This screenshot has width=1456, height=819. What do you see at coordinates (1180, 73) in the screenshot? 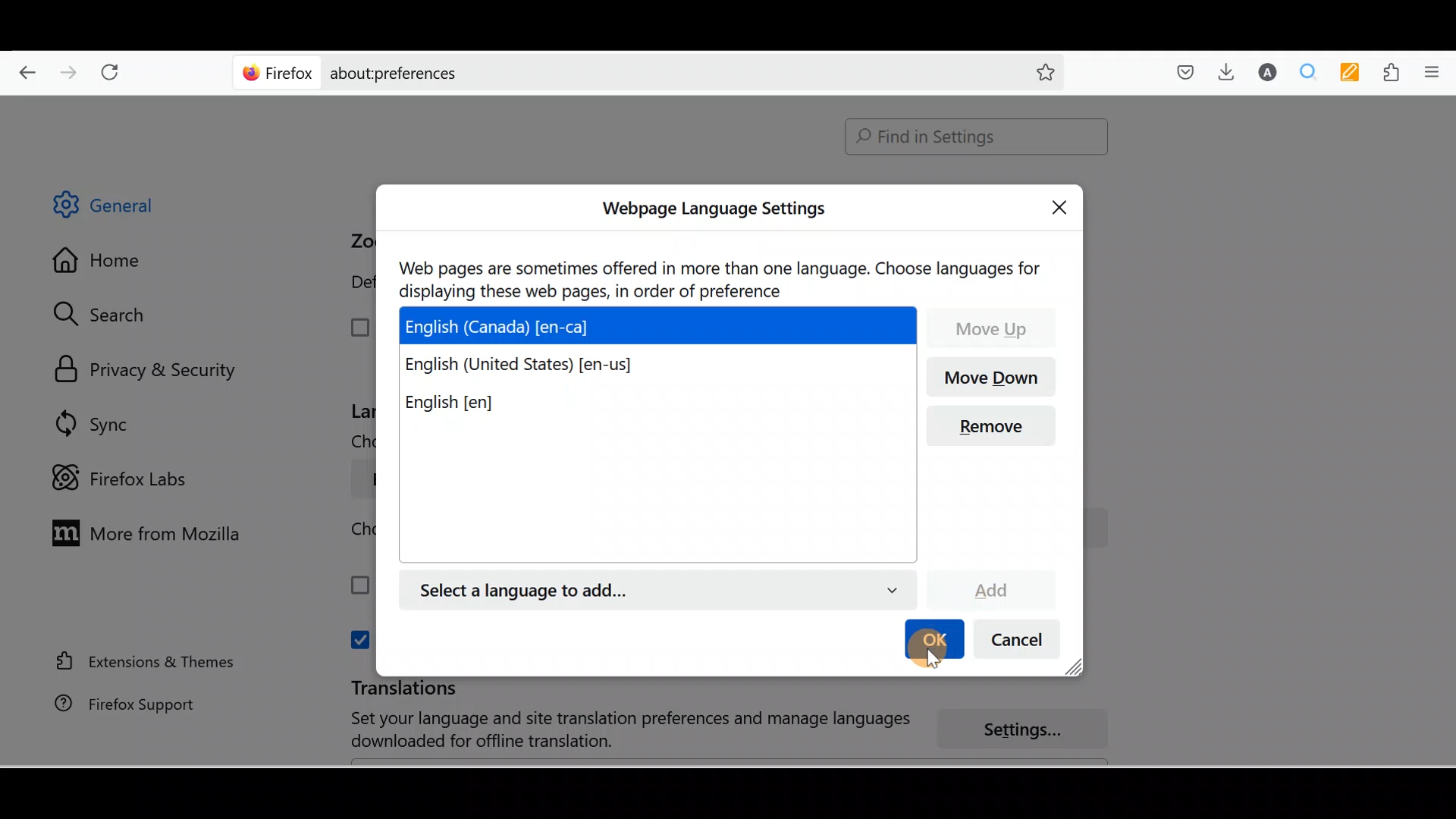
I see `Save to pocket` at bounding box center [1180, 73].